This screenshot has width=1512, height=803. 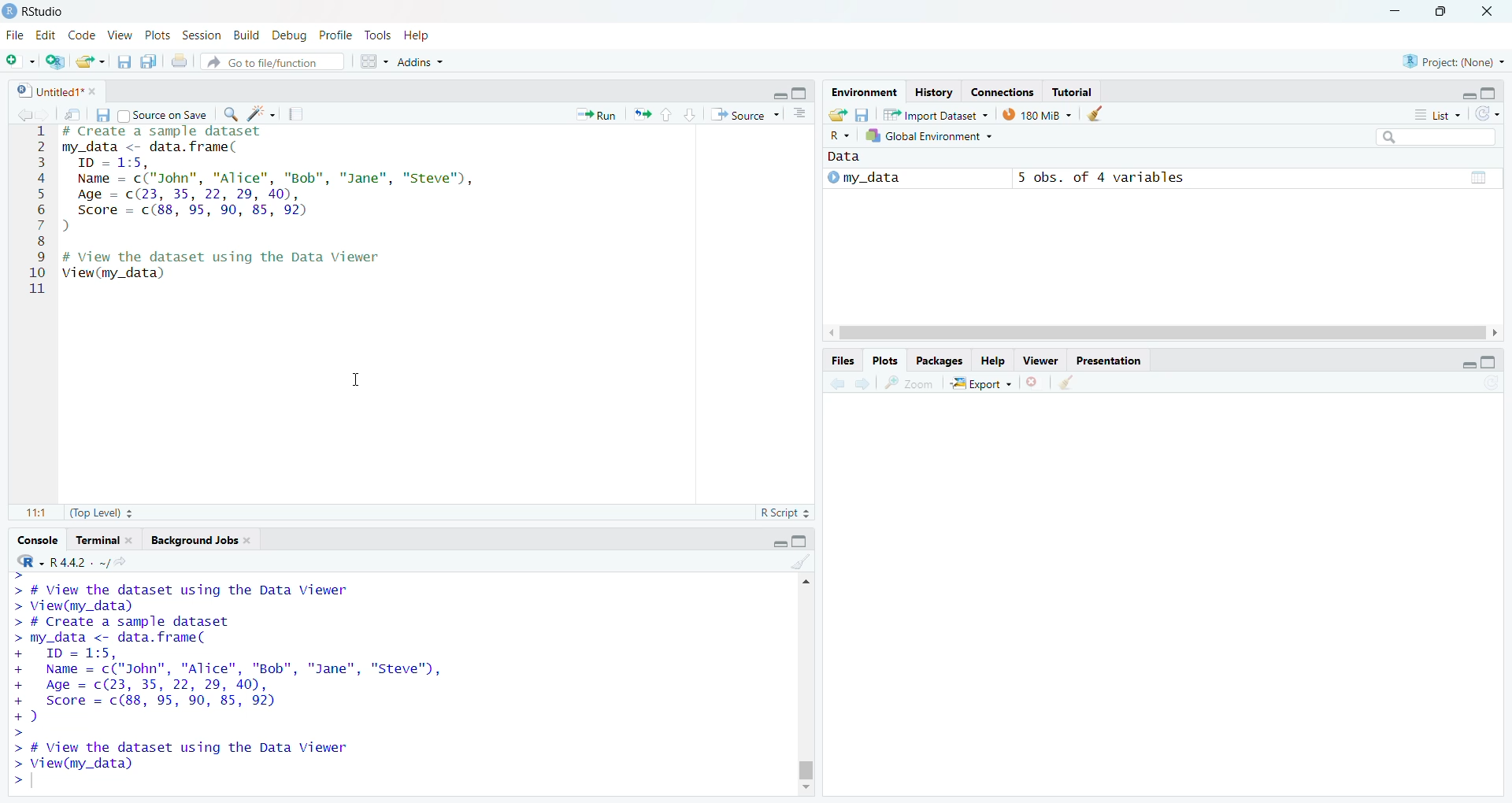 What do you see at coordinates (1440, 116) in the screenshot?
I see `List` at bounding box center [1440, 116].